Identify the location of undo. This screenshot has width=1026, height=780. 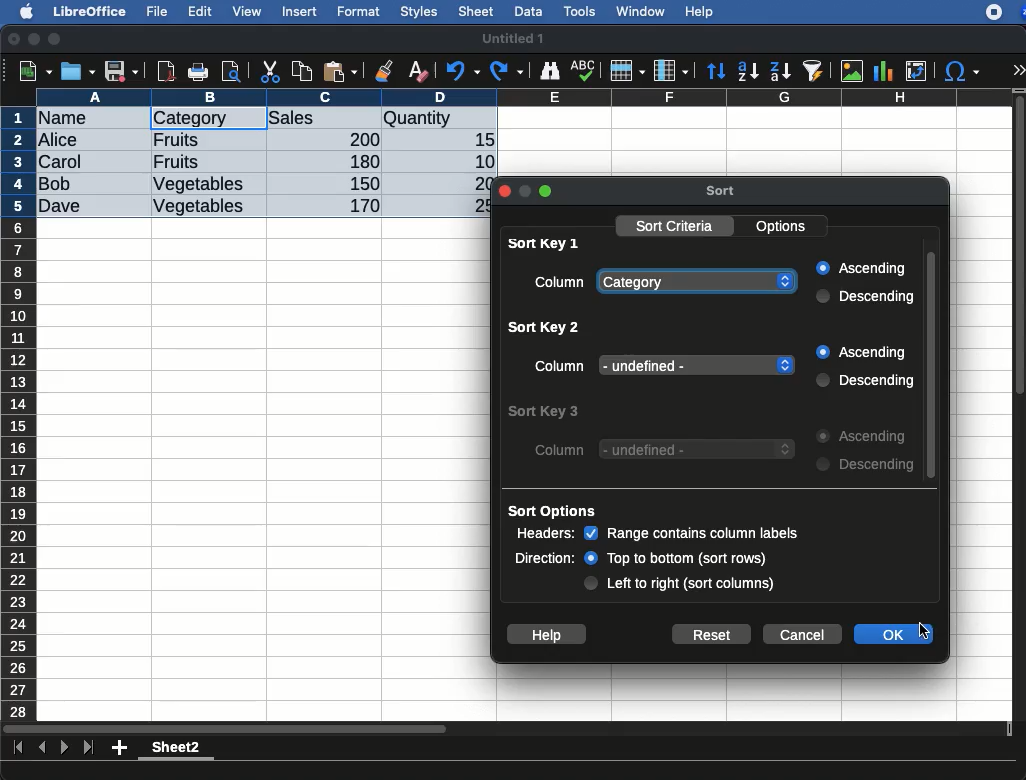
(463, 71).